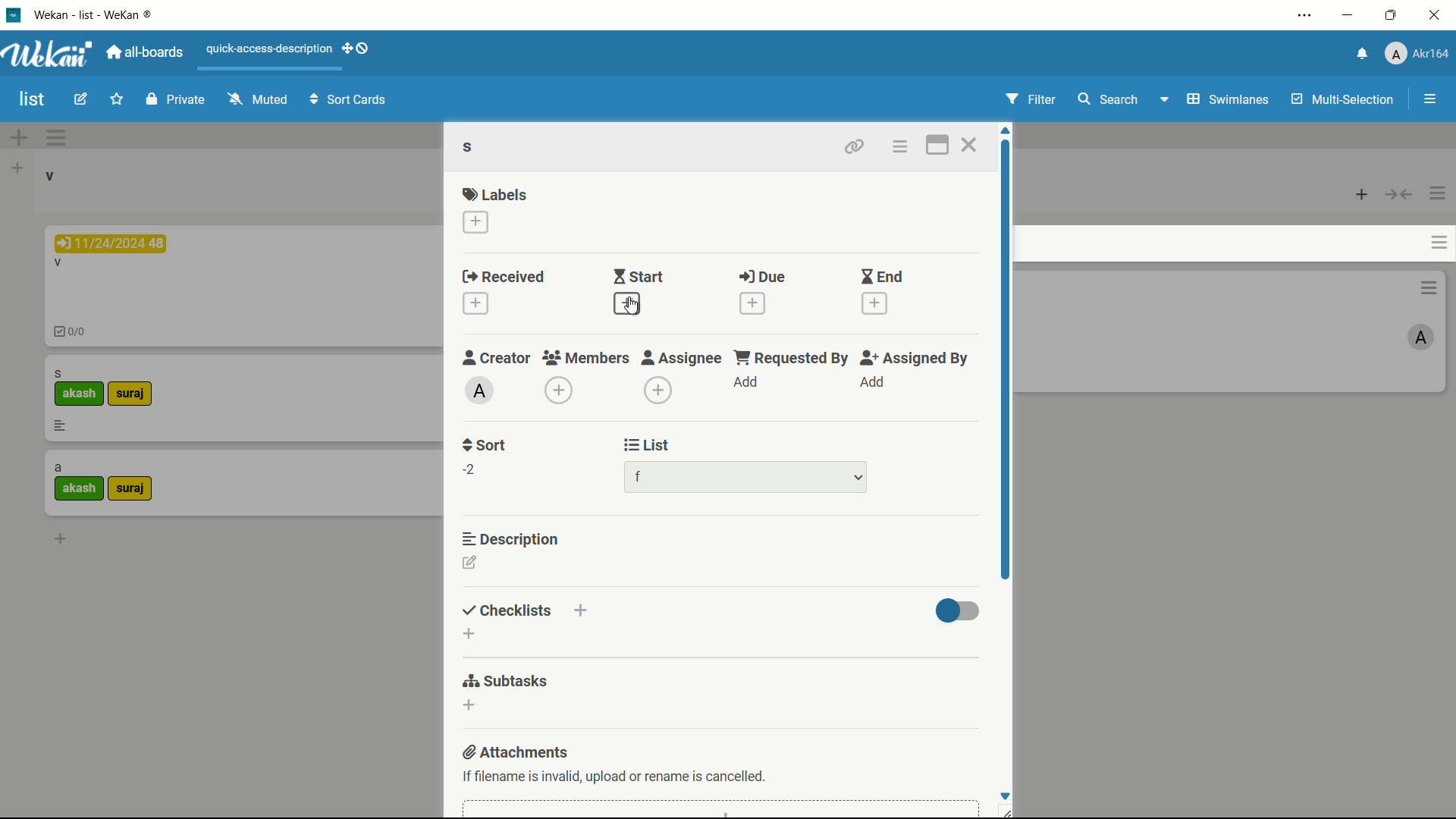  What do you see at coordinates (1363, 196) in the screenshot?
I see `add card top of list` at bounding box center [1363, 196].